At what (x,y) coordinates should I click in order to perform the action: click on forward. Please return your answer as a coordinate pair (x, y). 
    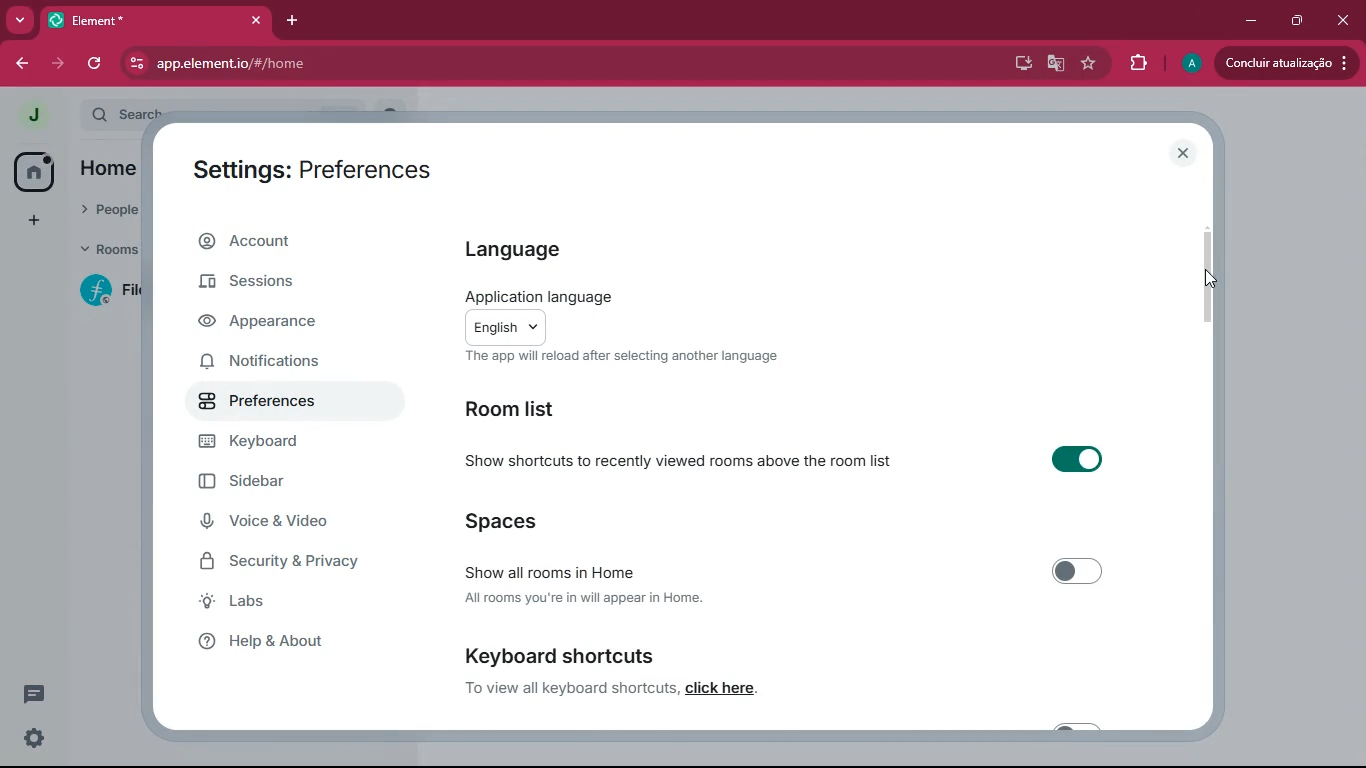
    Looking at the image, I should click on (58, 62).